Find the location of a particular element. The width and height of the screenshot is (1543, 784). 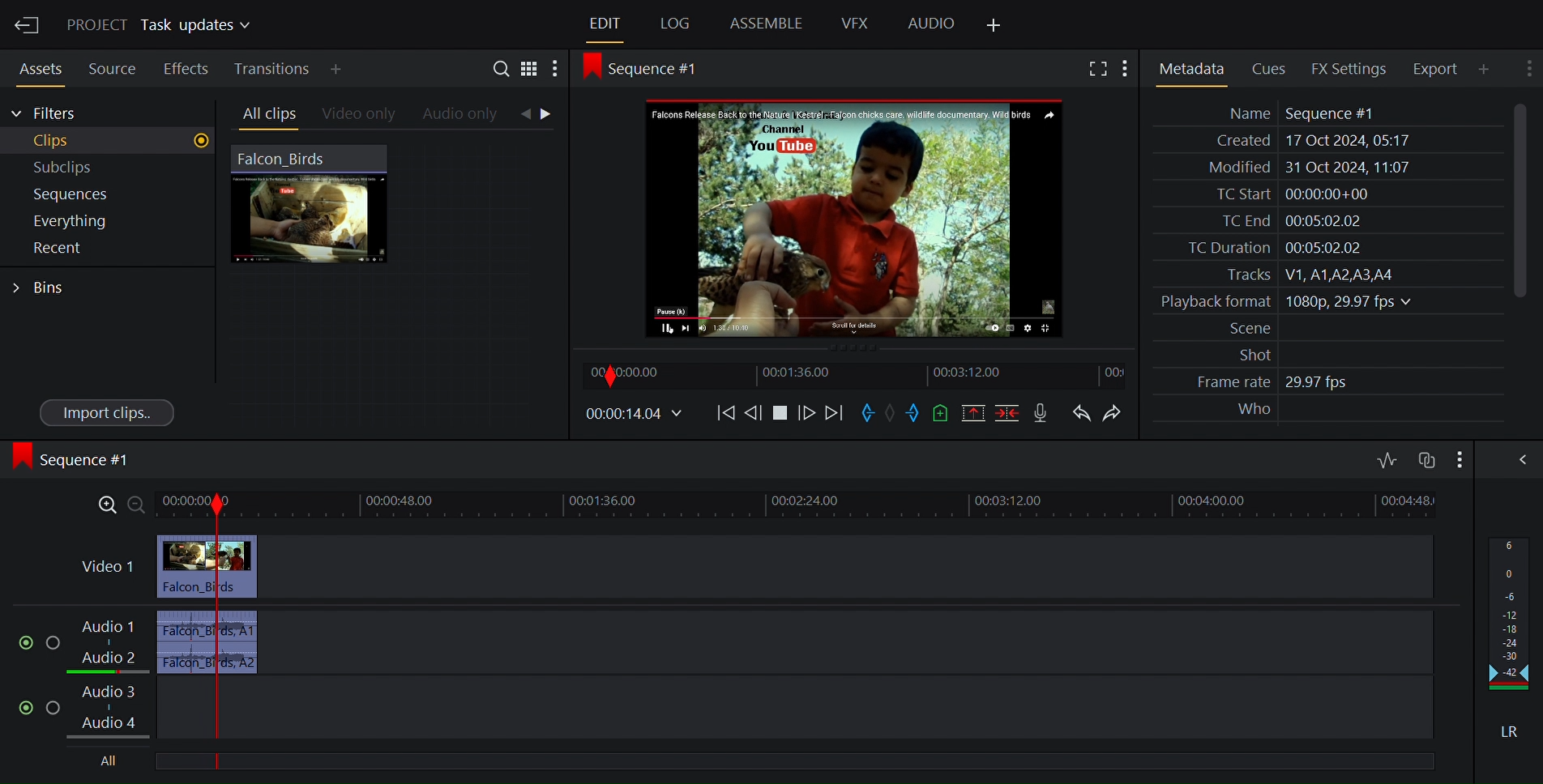

Name Sequence #1 is located at coordinates (1293, 113).